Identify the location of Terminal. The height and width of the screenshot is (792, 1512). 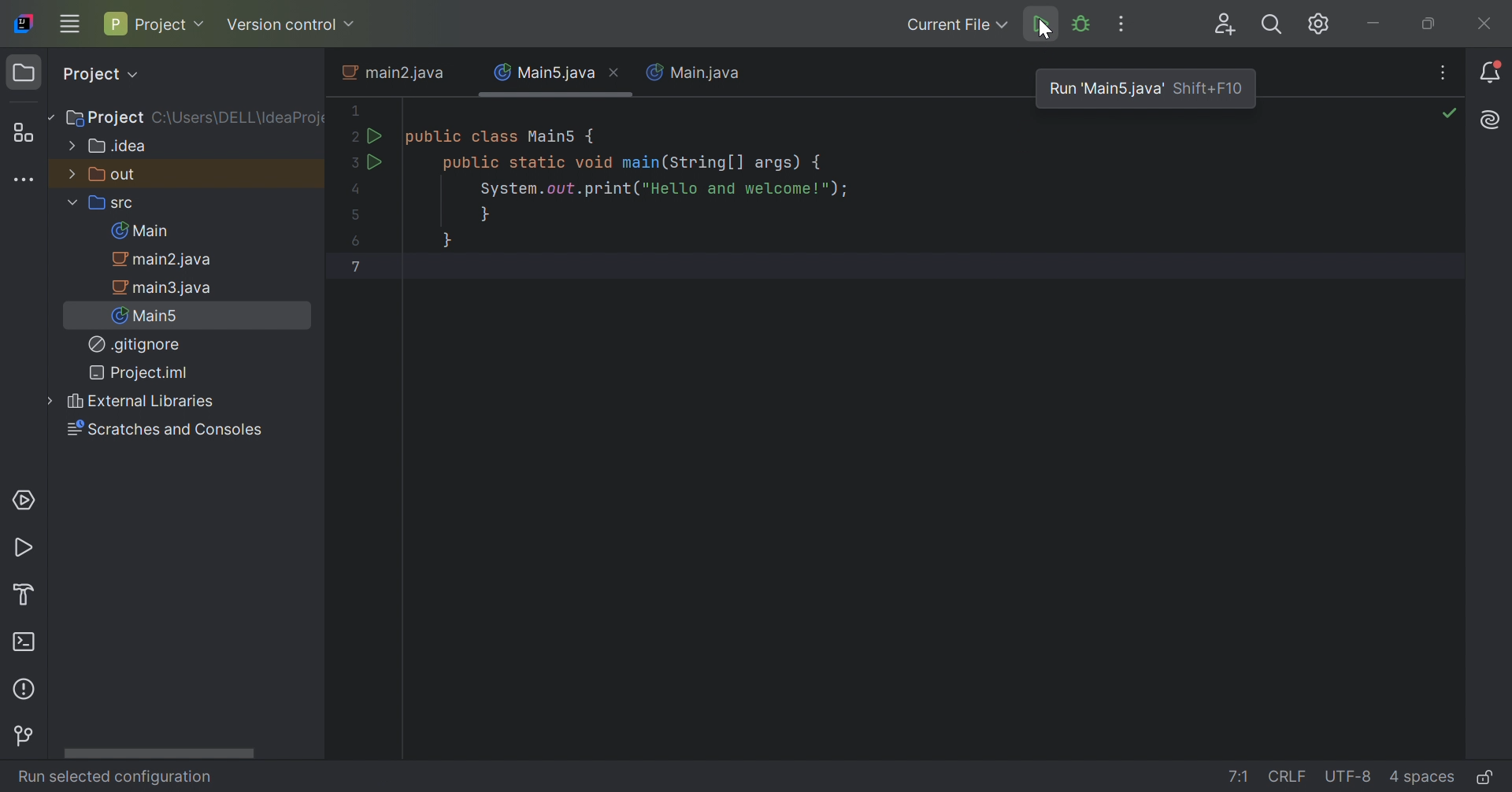
(28, 644).